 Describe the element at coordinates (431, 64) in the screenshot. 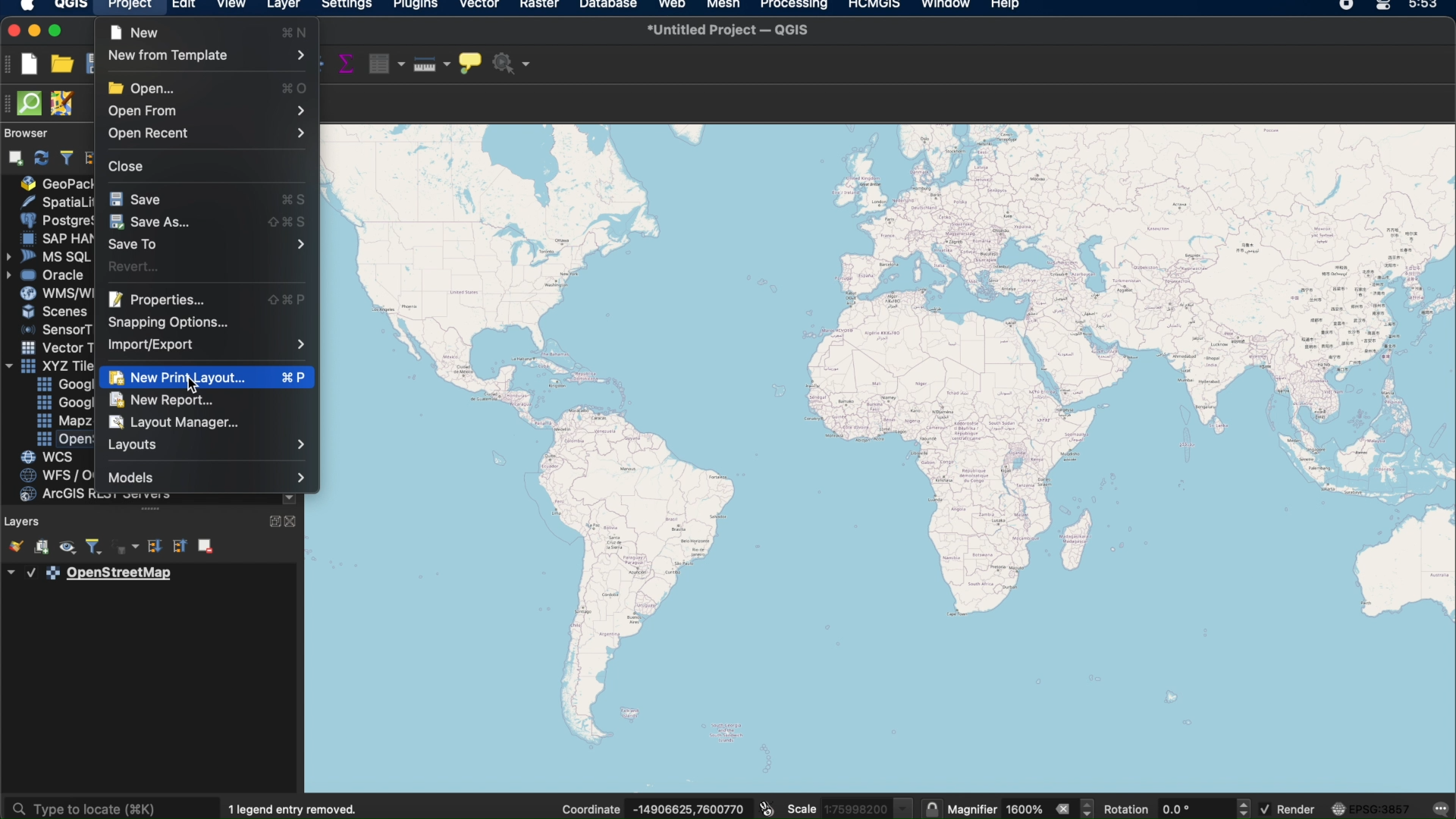

I see `measure line` at that location.